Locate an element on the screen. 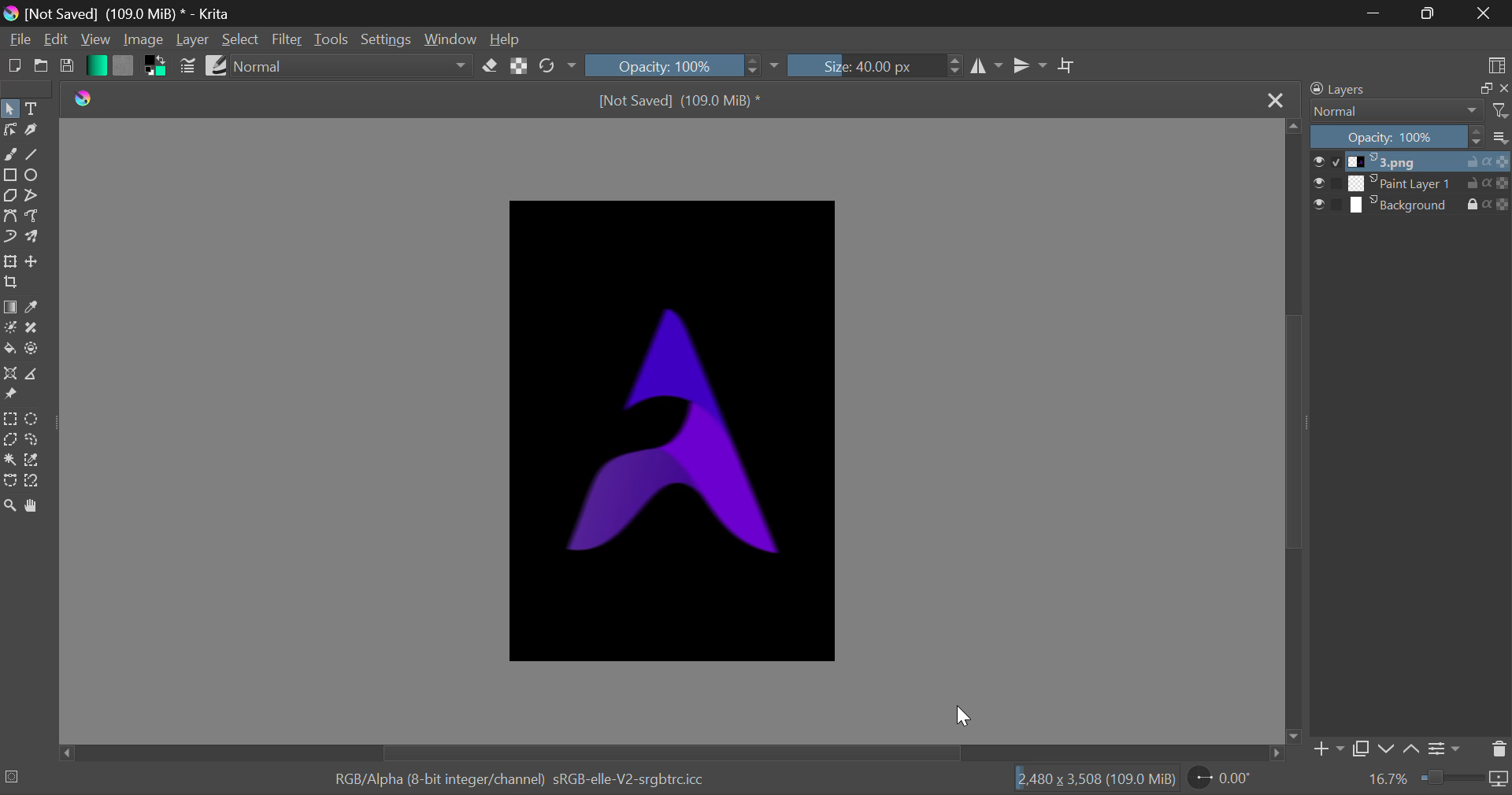 The width and height of the screenshot is (1512, 795). Polygon Selection Tool is located at coordinates (9, 439).